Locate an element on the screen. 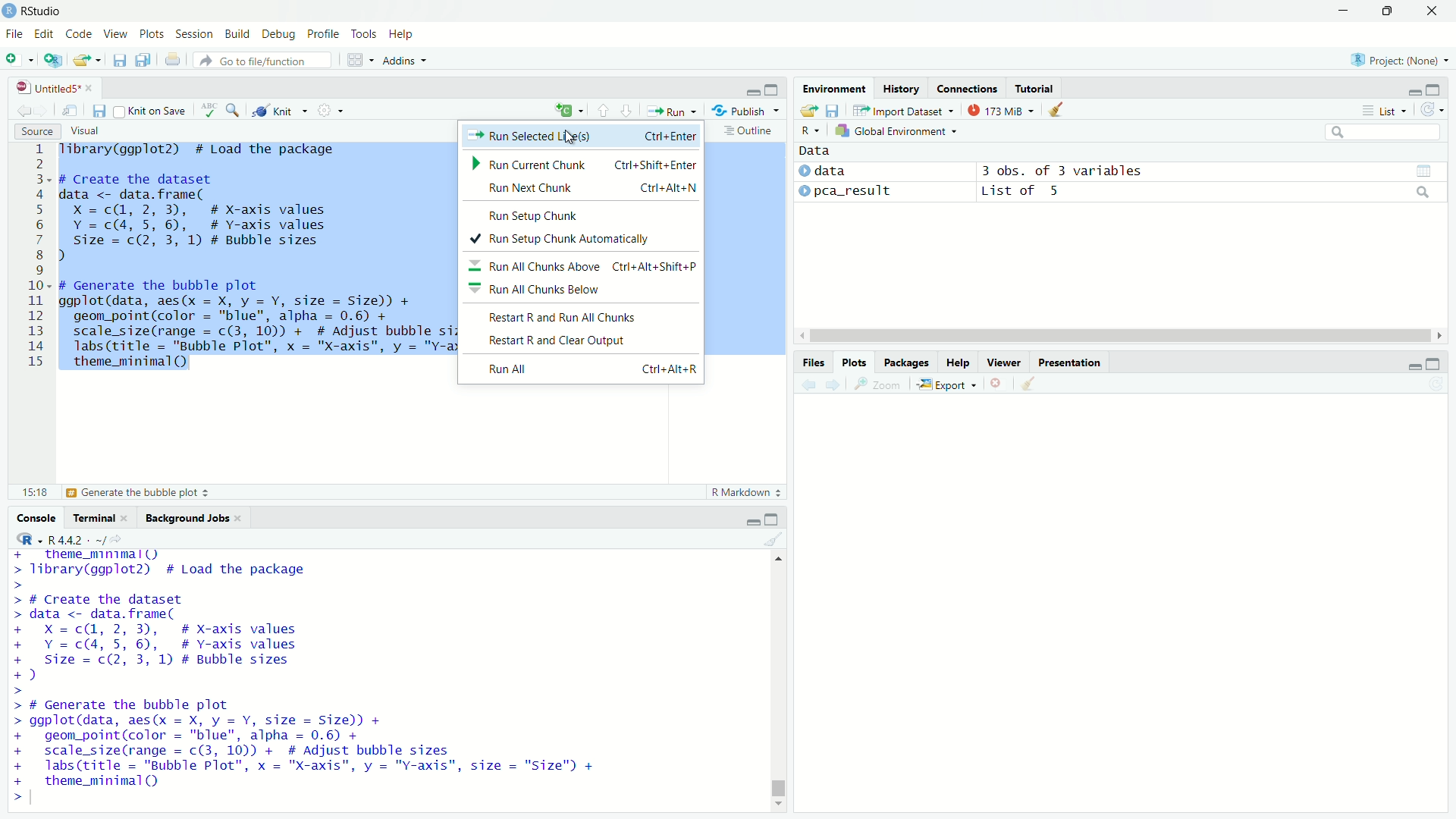  go to previous section is located at coordinates (604, 110).